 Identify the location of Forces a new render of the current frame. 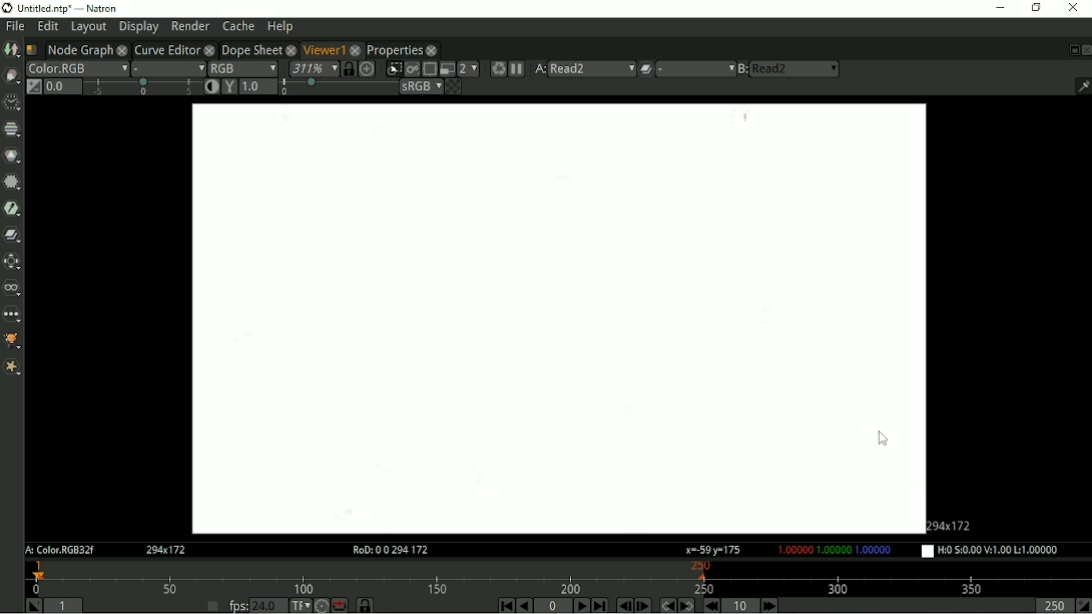
(497, 68).